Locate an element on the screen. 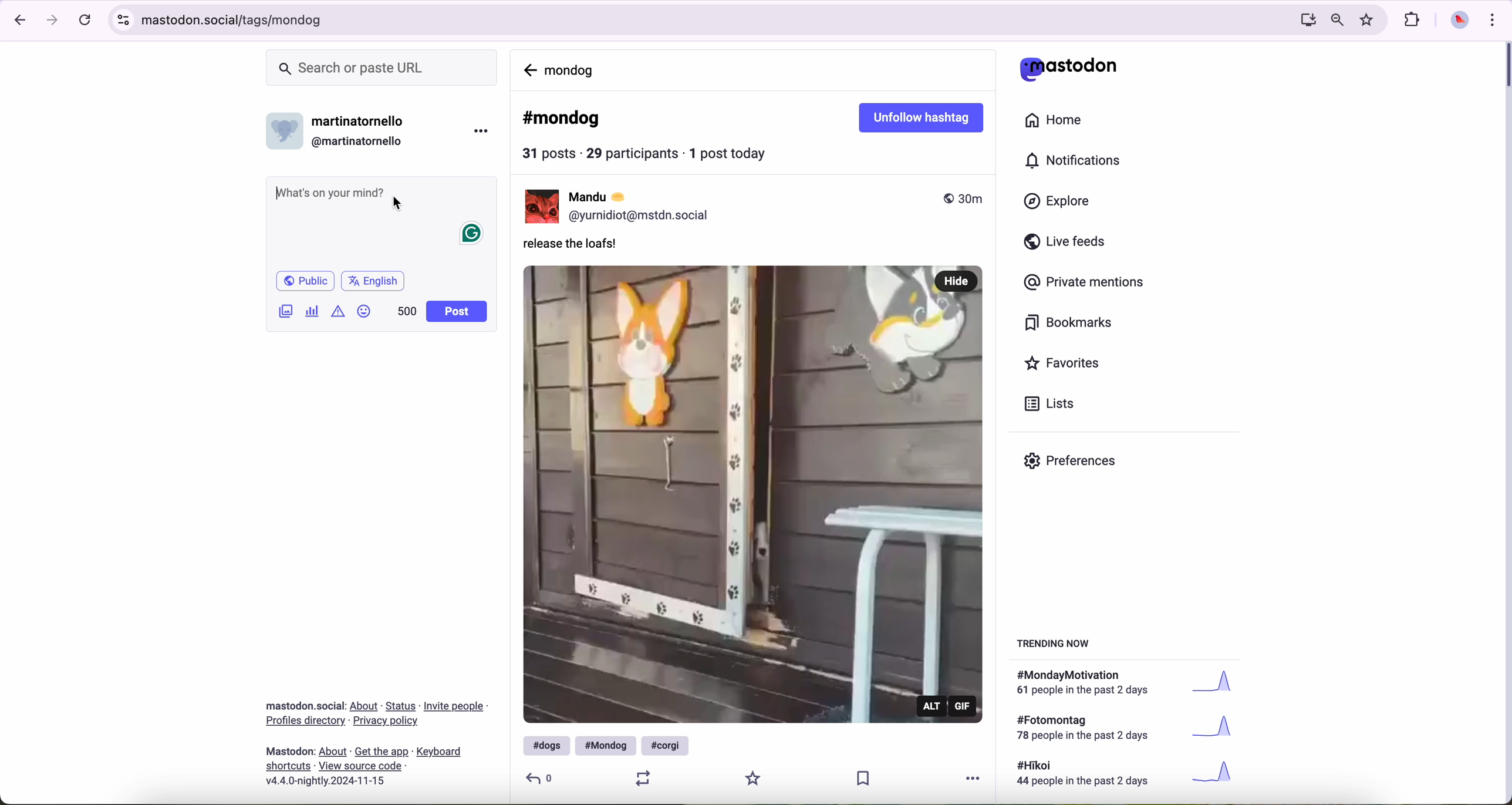 This screenshot has width=1512, height=805. zoom is located at coordinates (1337, 21).